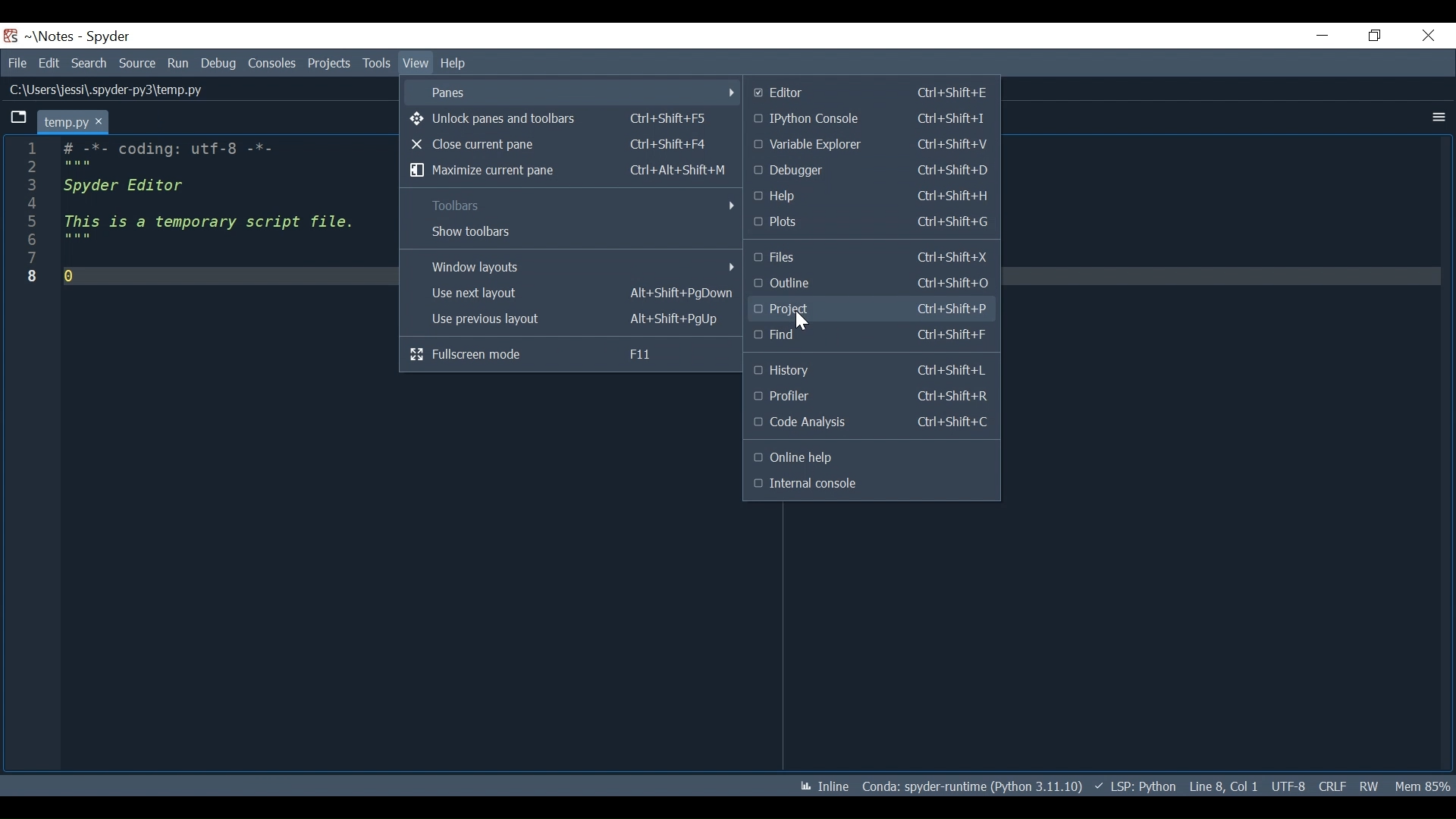 Image resolution: width=1456 pixels, height=819 pixels. I want to click on Panes, so click(574, 92).